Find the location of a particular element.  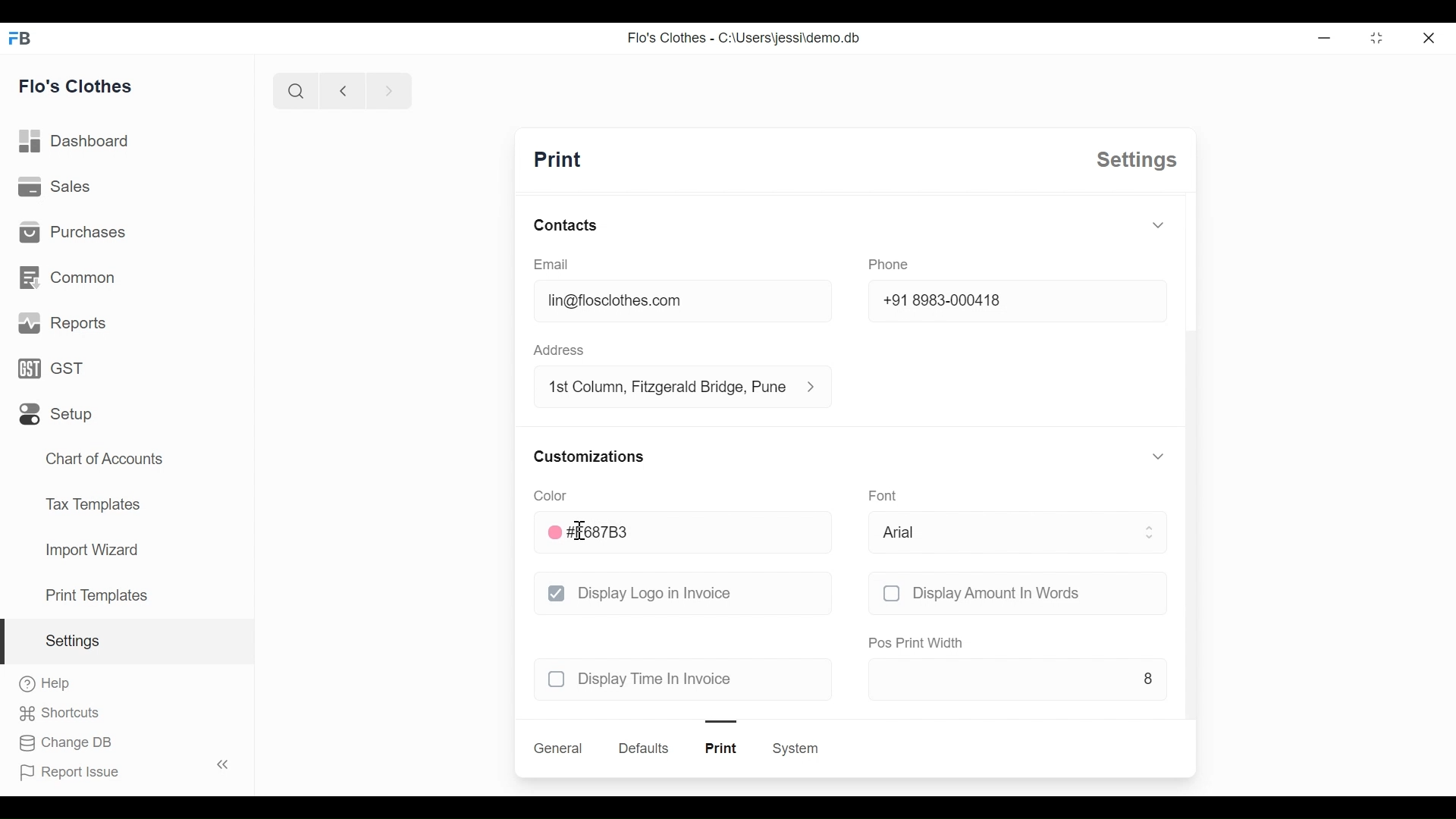

arial is located at coordinates (1018, 532).